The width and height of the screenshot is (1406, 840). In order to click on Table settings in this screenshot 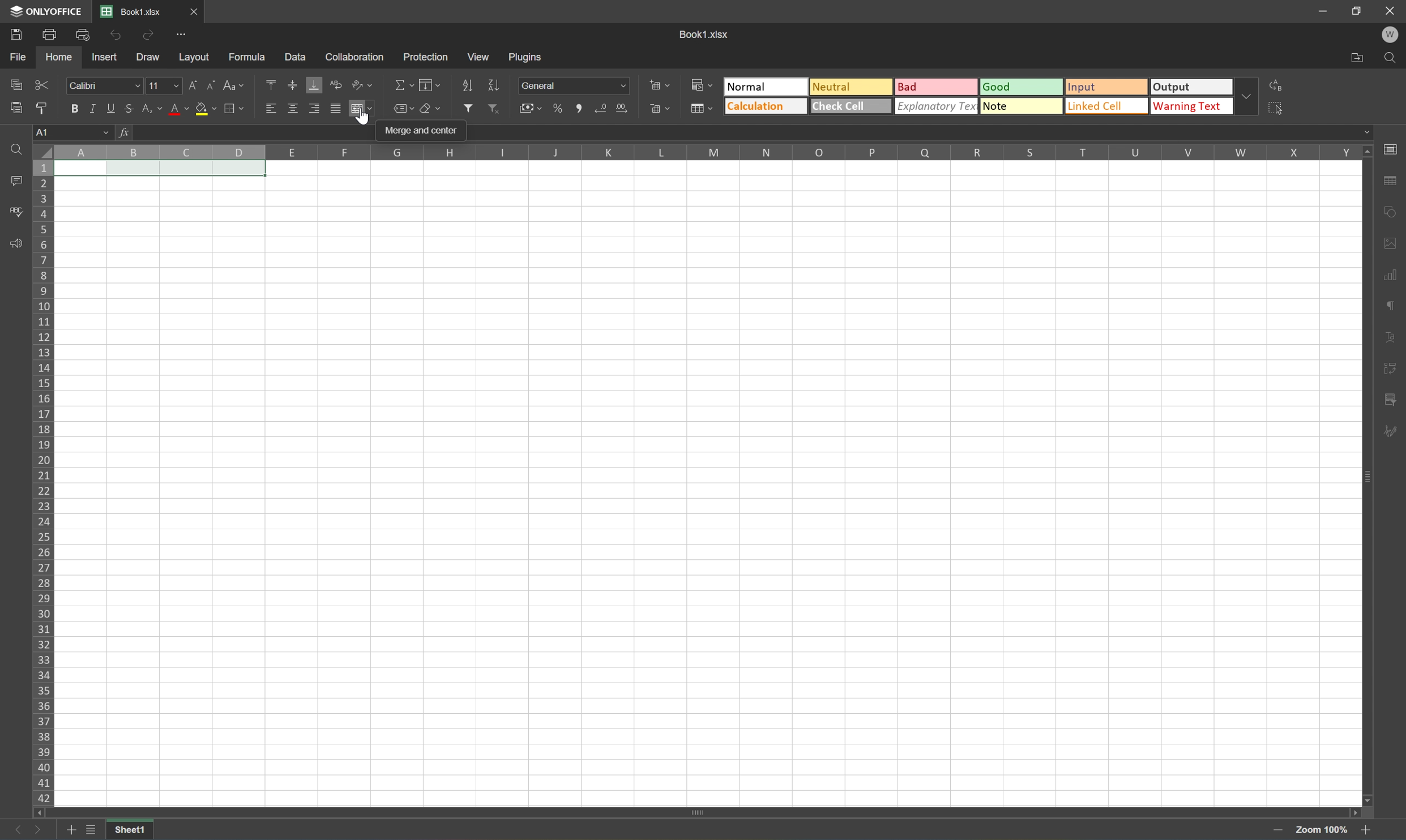, I will do `click(1390, 183)`.